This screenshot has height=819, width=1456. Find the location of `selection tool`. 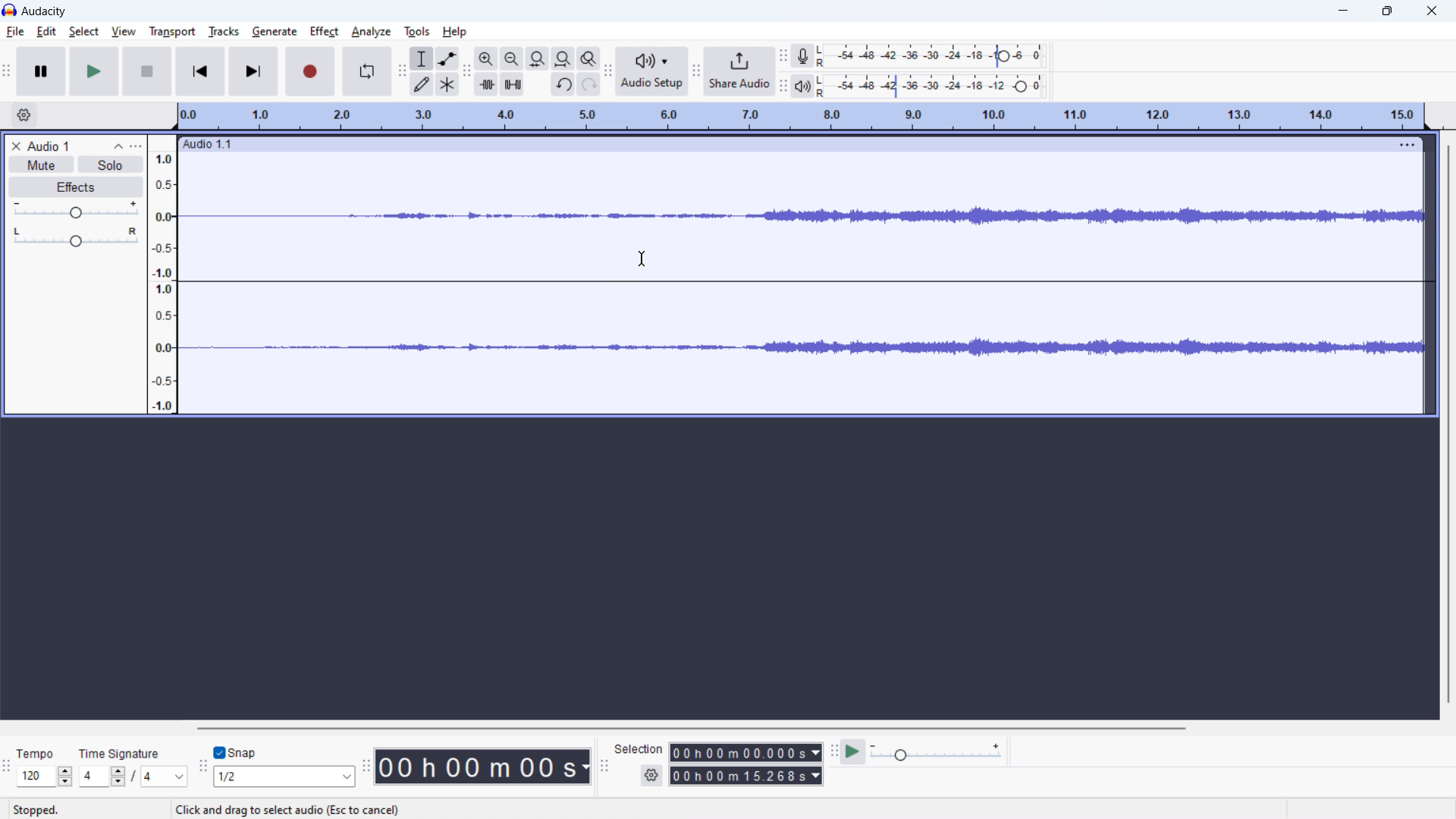

selection tool is located at coordinates (421, 58).